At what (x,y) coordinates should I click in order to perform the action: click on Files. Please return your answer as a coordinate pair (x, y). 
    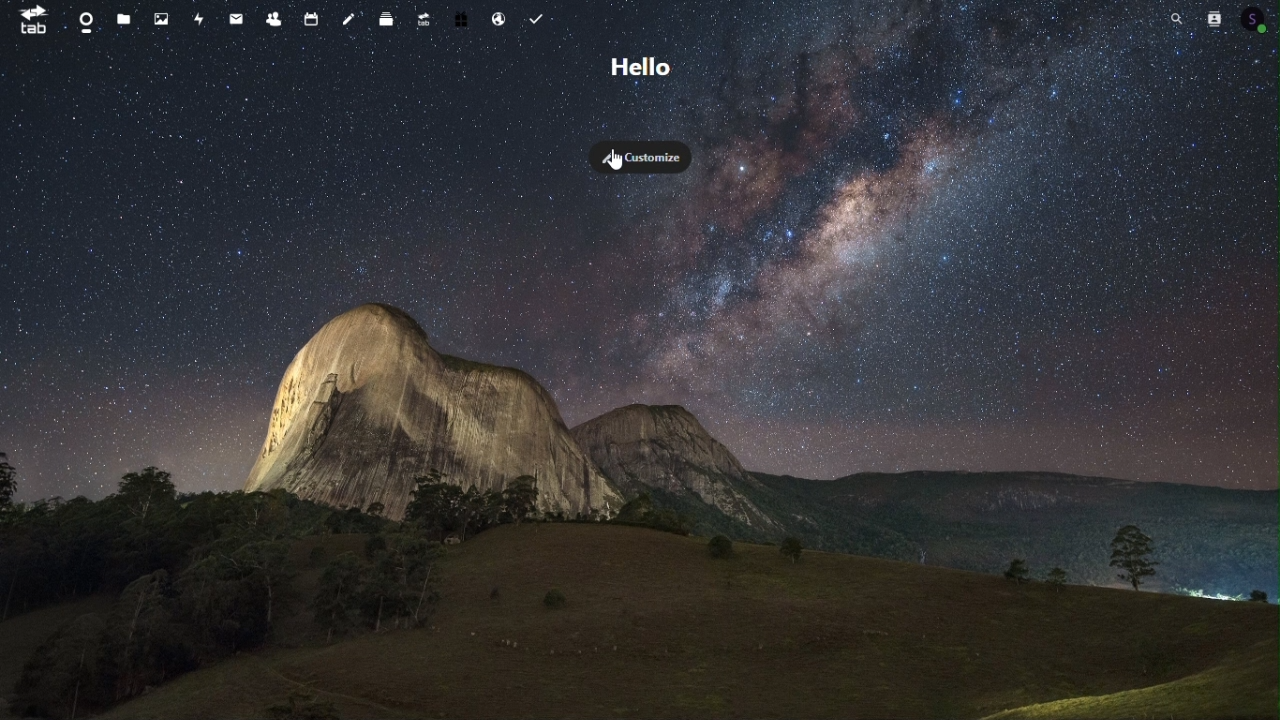
    Looking at the image, I should click on (123, 21).